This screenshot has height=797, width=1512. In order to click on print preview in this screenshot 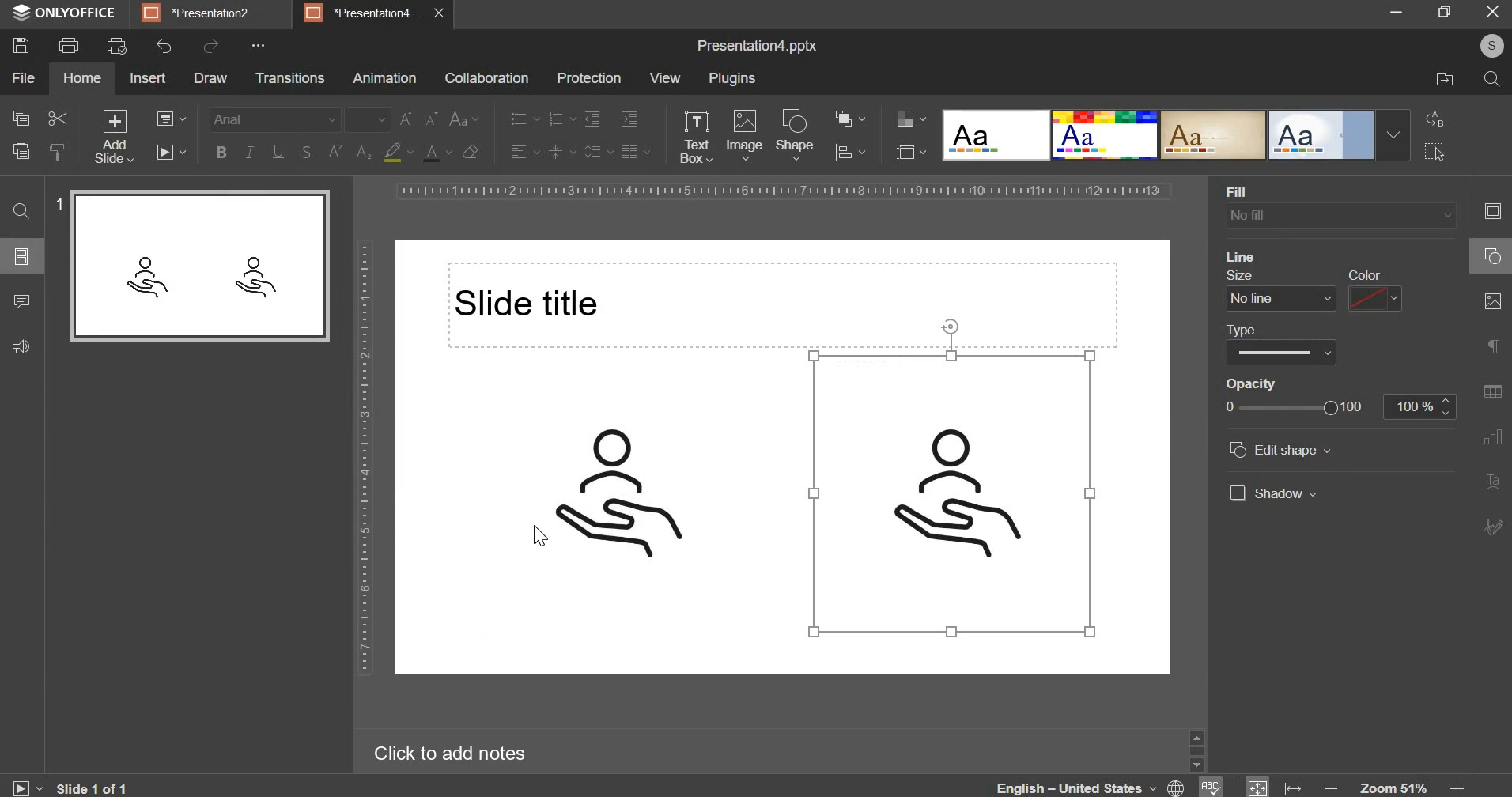, I will do `click(116, 46)`.